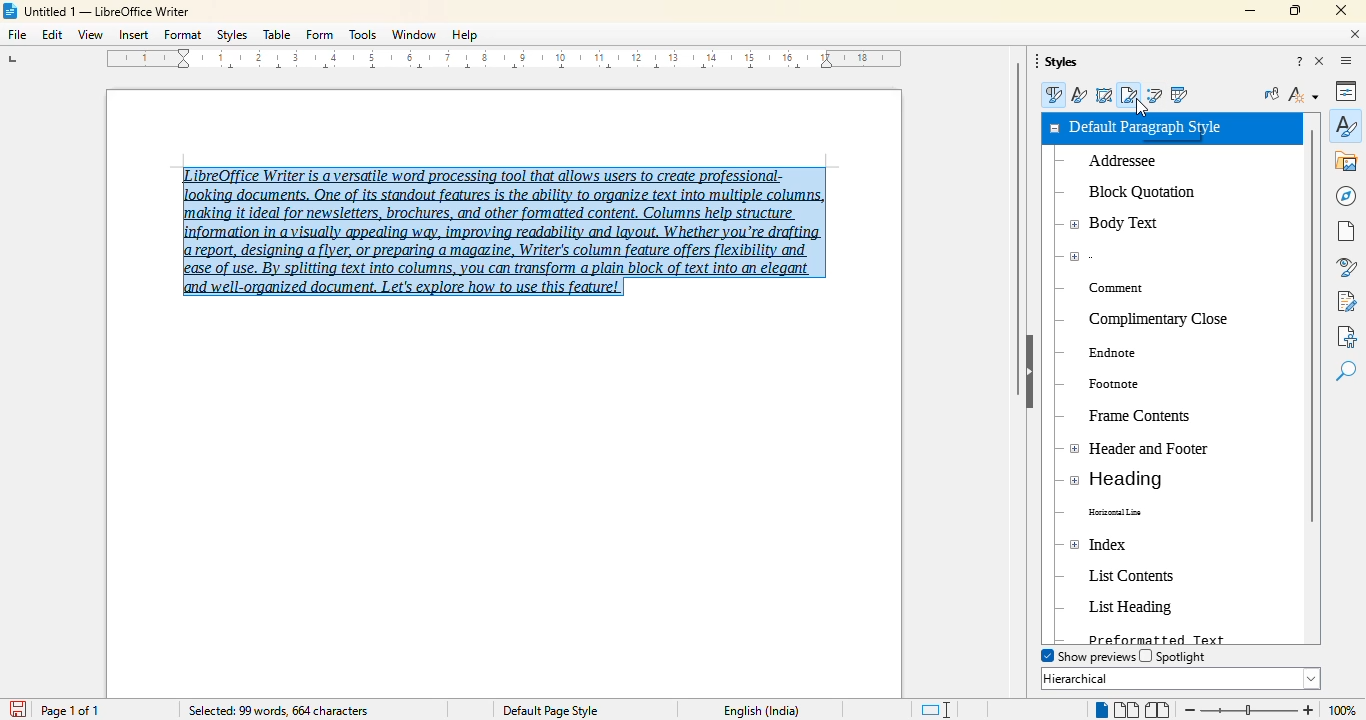 The image size is (1366, 720). Describe the element at coordinates (1153, 166) in the screenshot. I see ` Addressee` at that location.